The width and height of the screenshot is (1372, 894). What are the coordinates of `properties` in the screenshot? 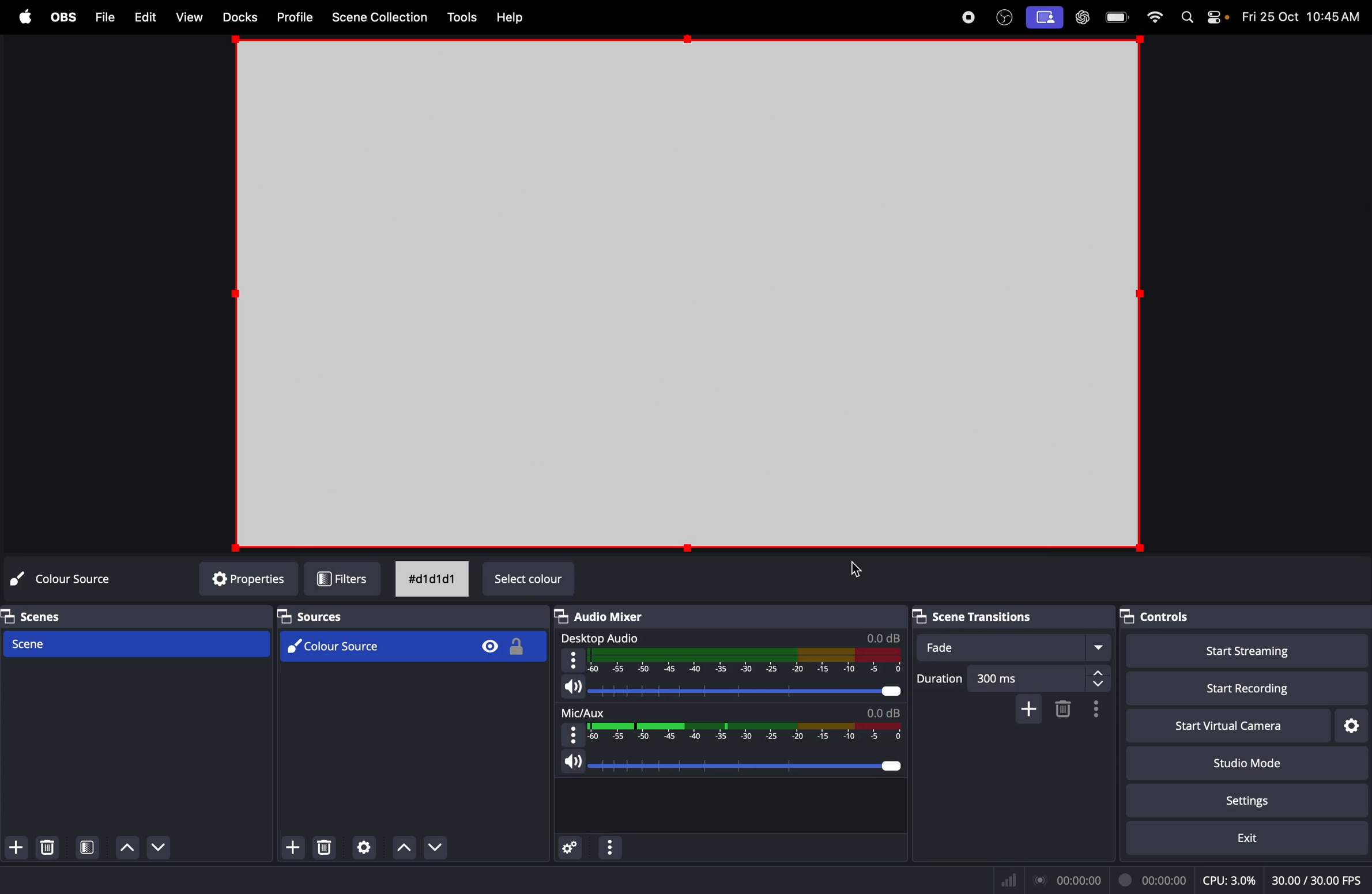 It's located at (241, 579).